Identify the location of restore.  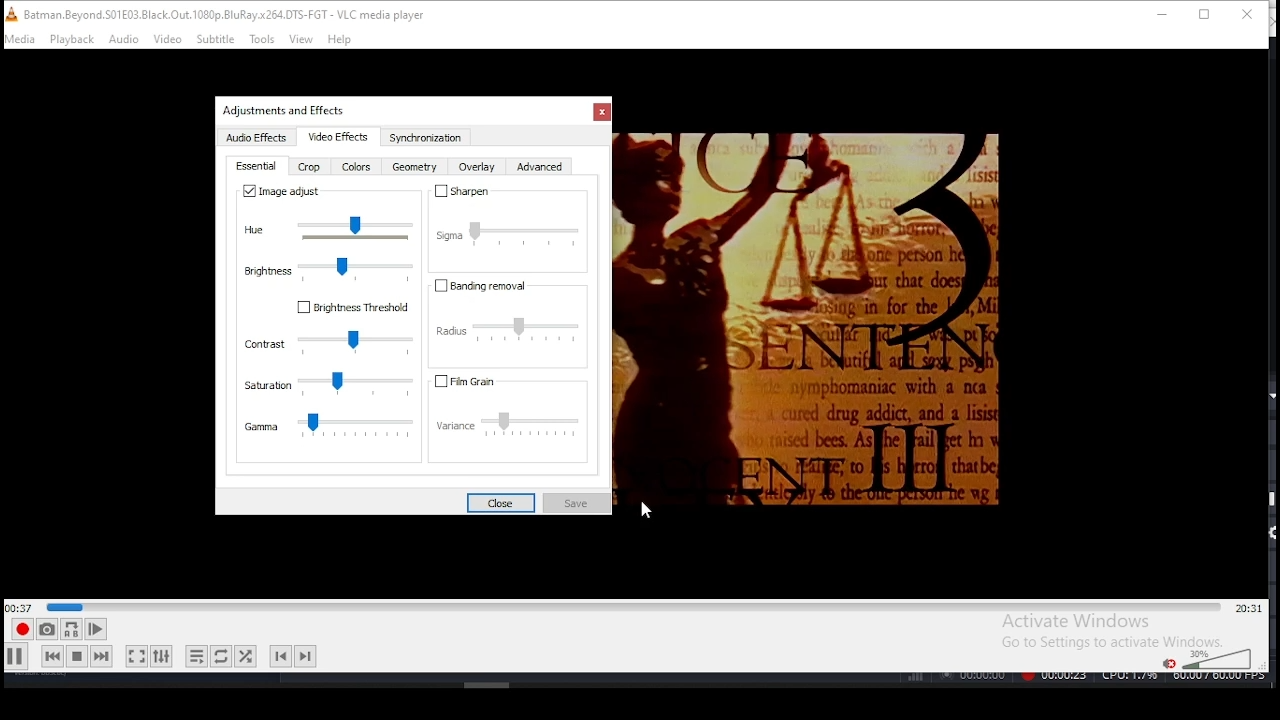
(1204, 16).